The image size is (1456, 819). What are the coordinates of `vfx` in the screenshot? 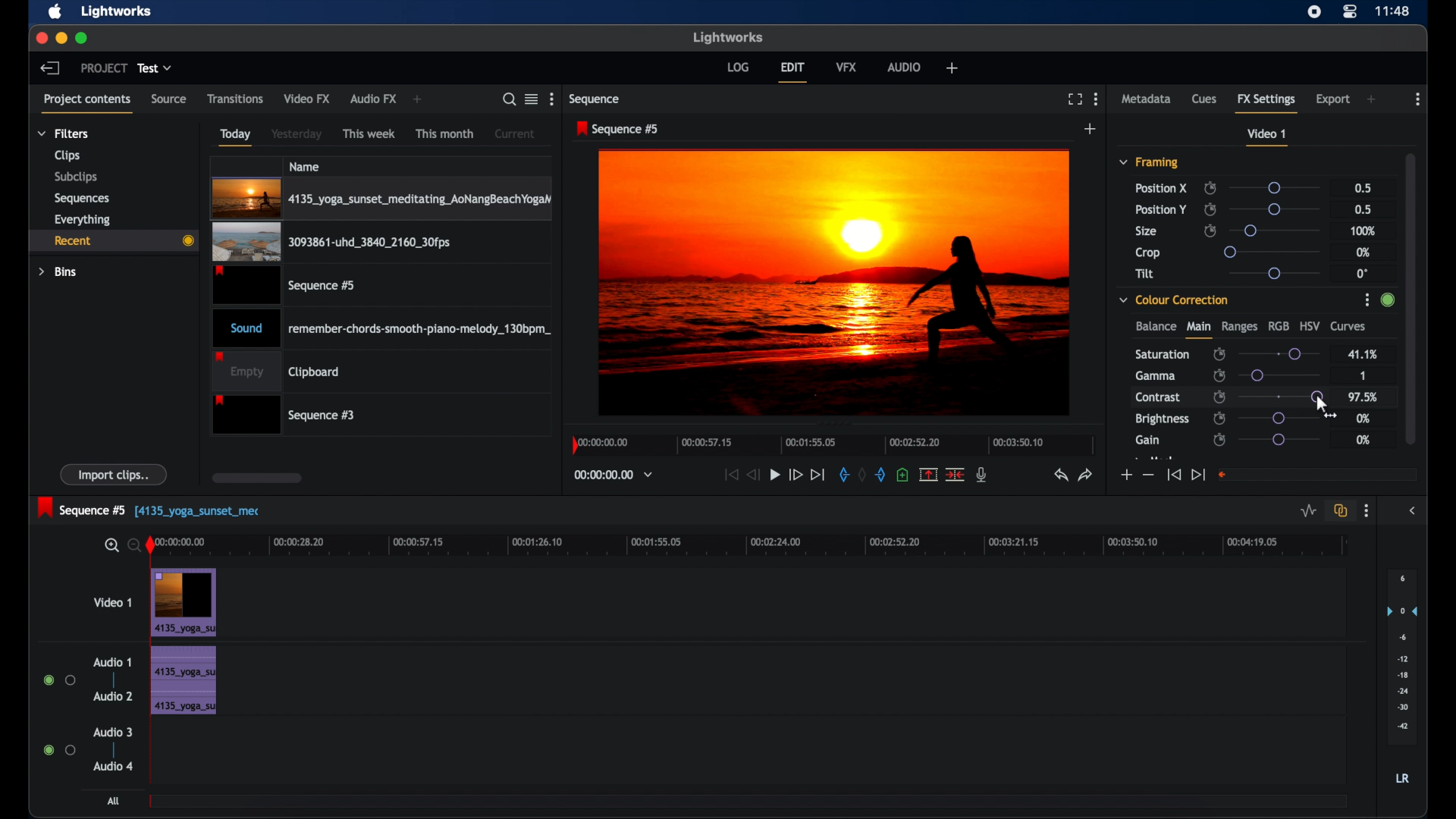 It's located at (847, 67).